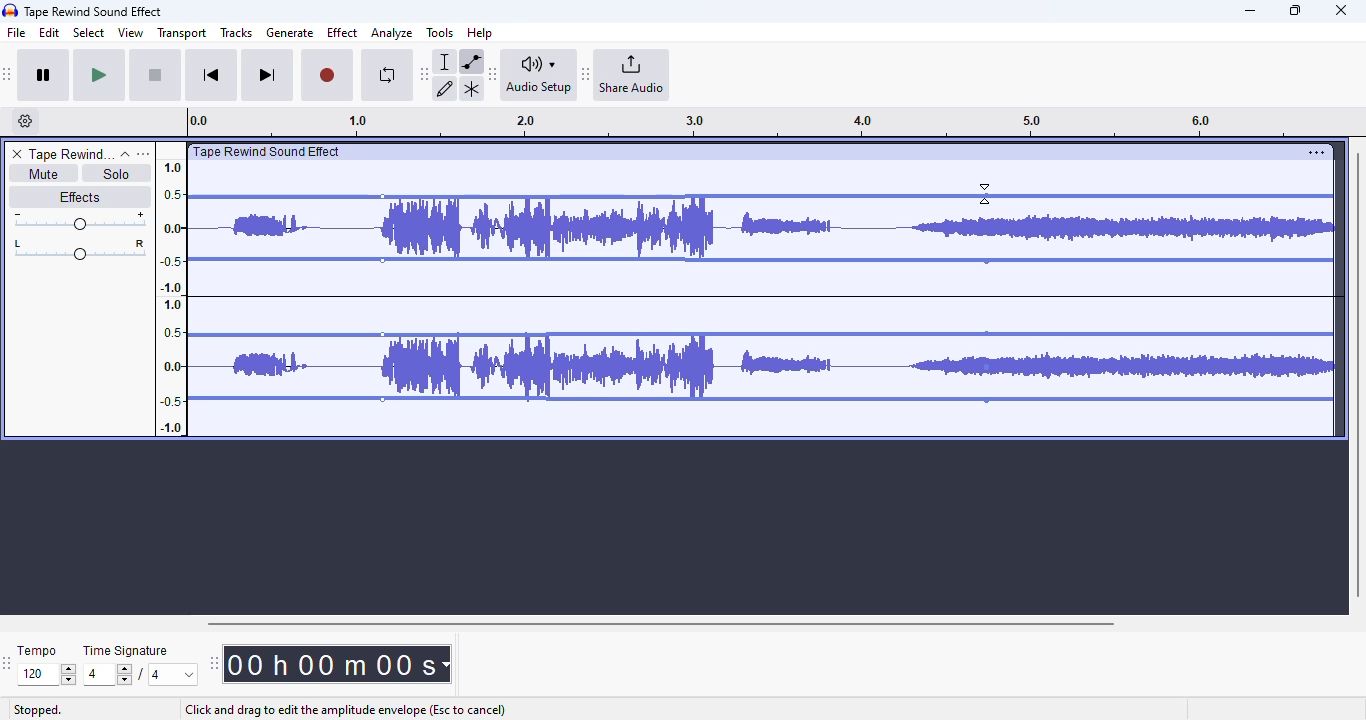 Image resolution: width=1366 pixels, height=720 pixels. I want to click on Time measurement options, so click(445, 664).